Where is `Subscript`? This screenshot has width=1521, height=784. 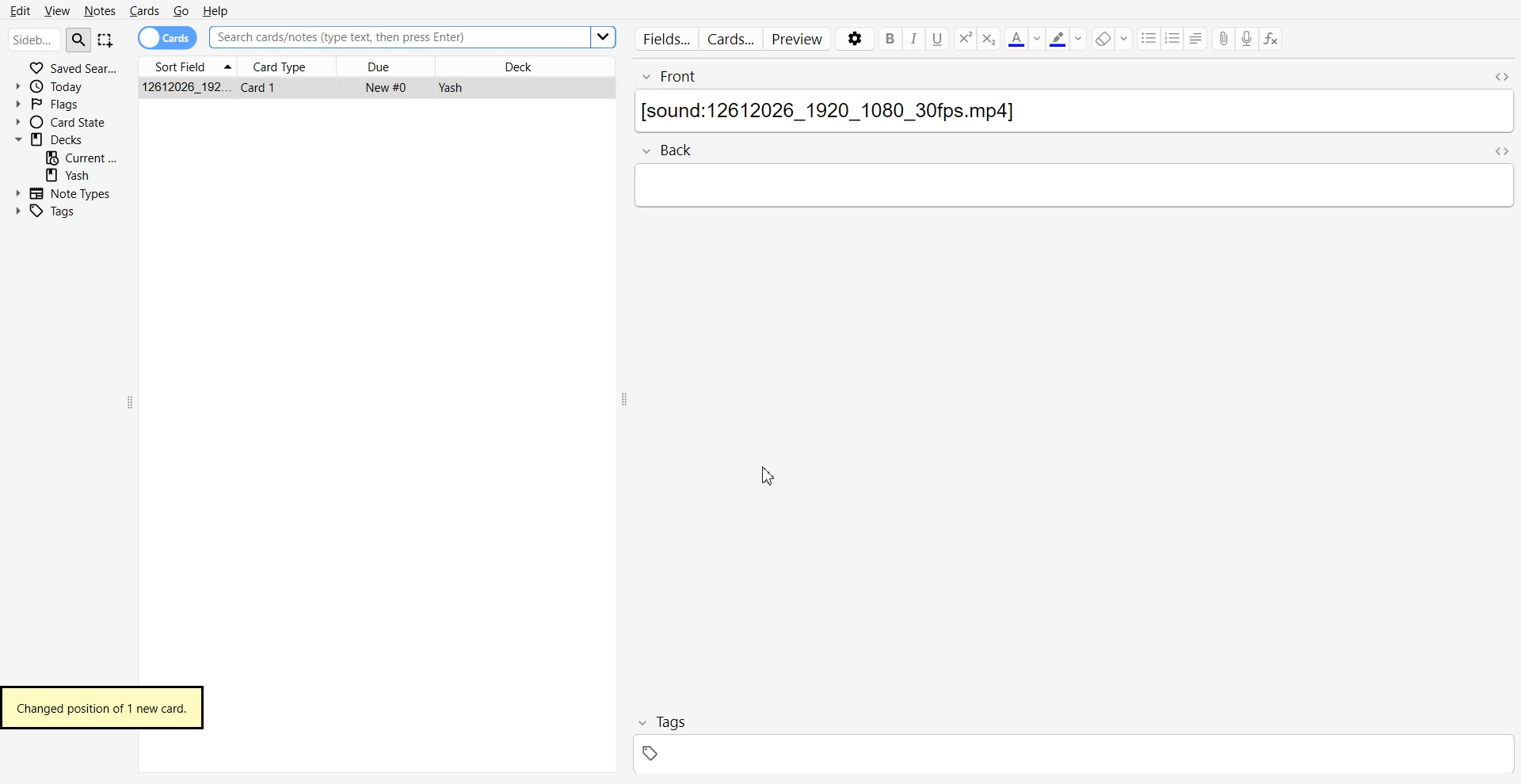
Subscript is located at coordinates (964, 39).